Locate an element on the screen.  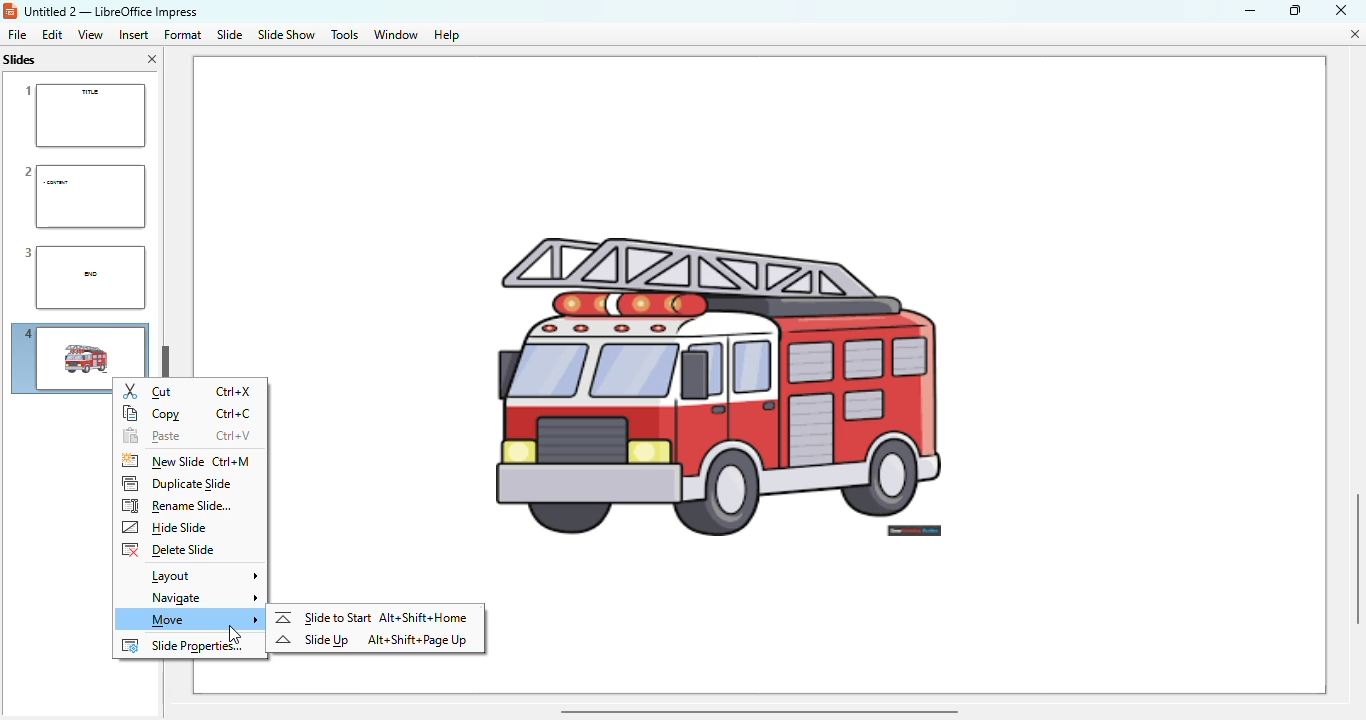
delete slide is located at coordinates (168, 550).